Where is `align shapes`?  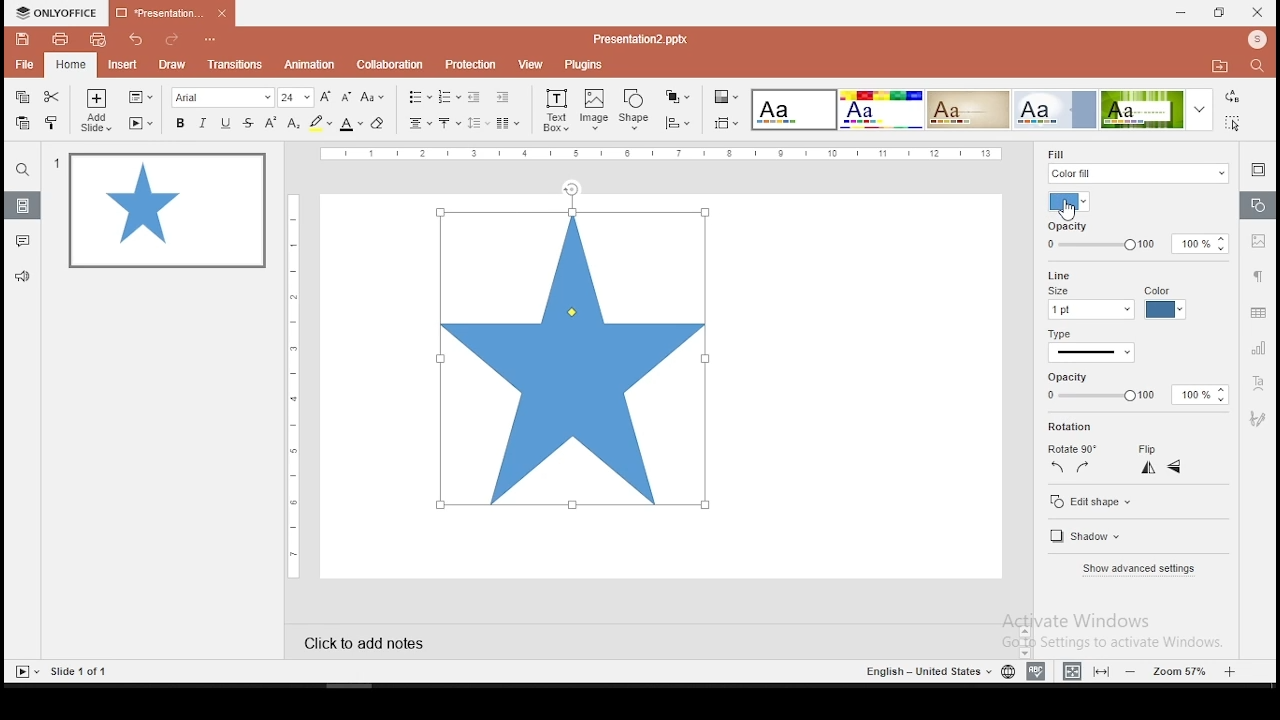 align shapes is located at coordinates (677, 123).